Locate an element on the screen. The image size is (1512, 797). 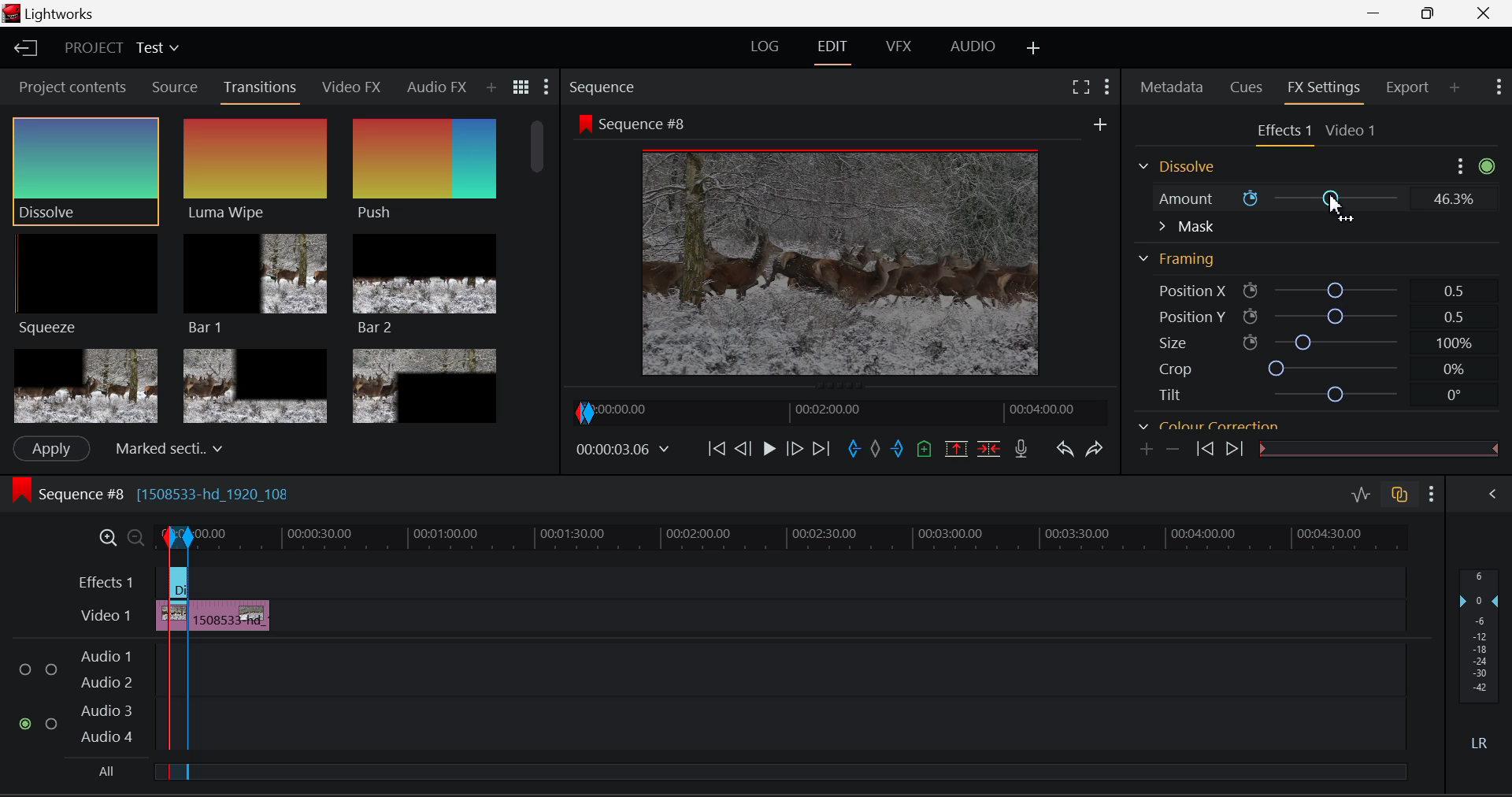
Video 1 Settings is located at coordinates (1351, 129).